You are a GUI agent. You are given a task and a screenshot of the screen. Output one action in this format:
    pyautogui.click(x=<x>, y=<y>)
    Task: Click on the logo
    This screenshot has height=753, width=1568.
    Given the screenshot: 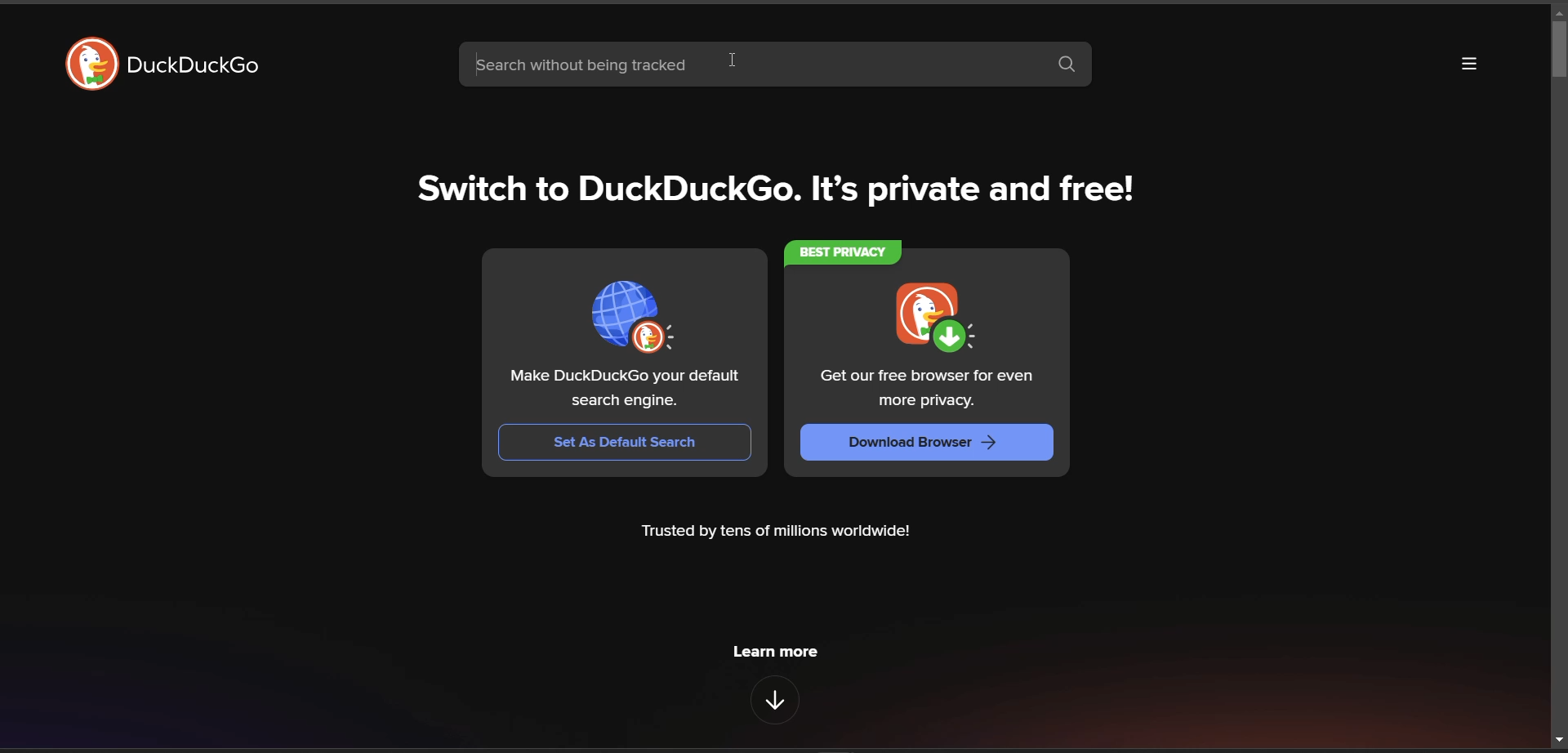 What is the action you would take?
    pyautogui.click(x=934, y=320)
    